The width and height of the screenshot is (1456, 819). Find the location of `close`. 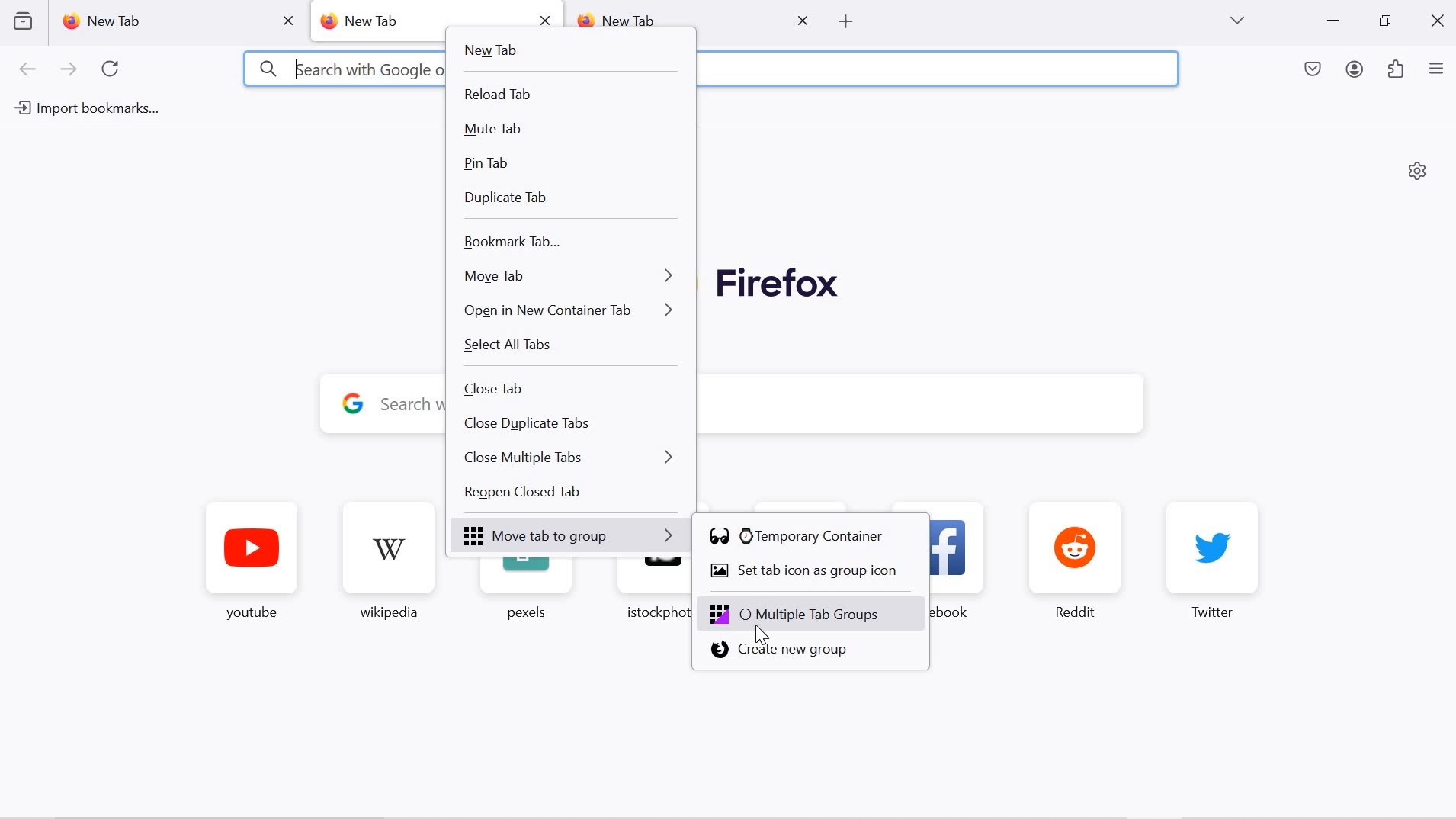

close is located at coordinates (542, 18).